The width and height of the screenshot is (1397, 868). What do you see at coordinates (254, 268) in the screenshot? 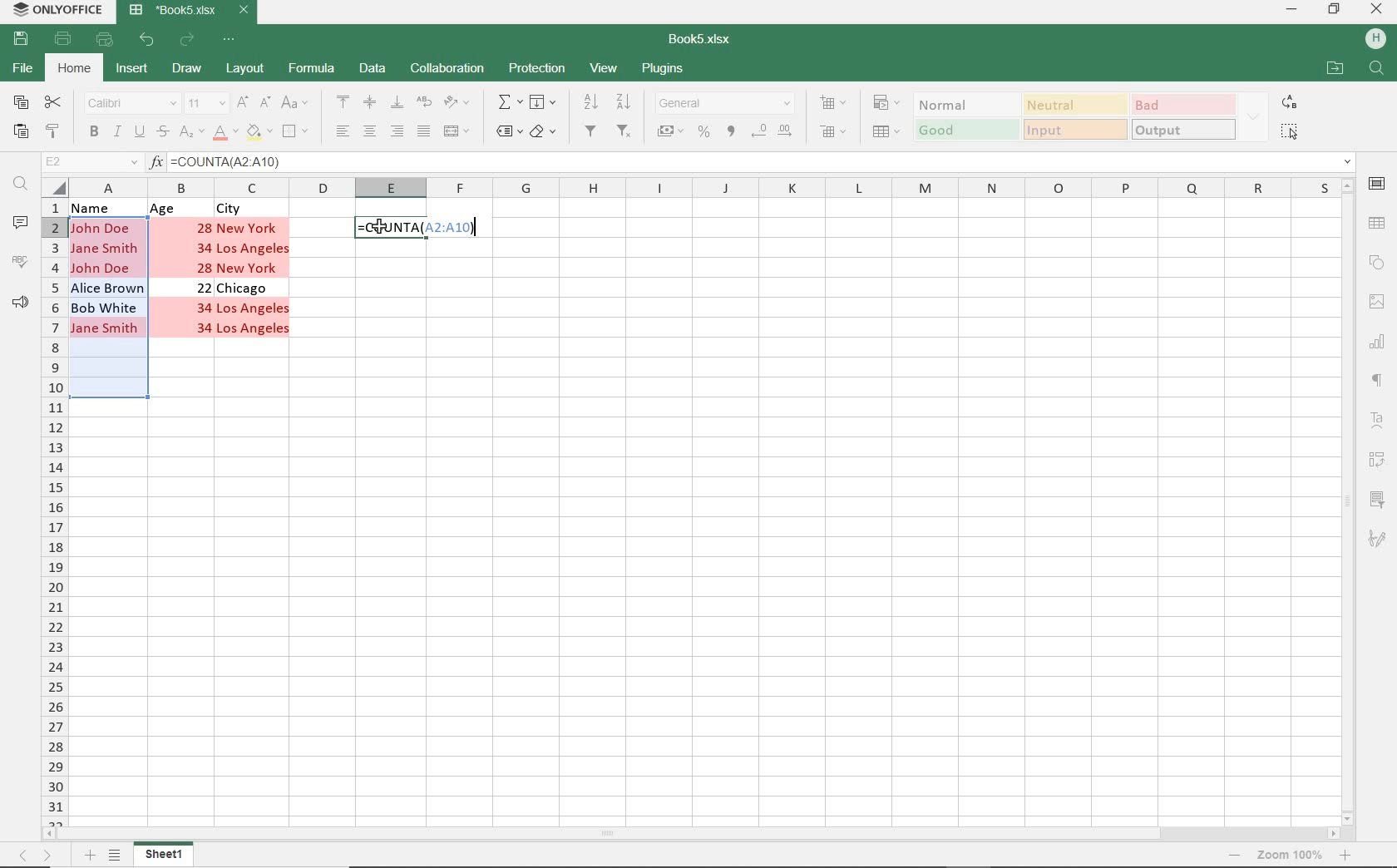
I see `New York` at bounding box center [254, 268].